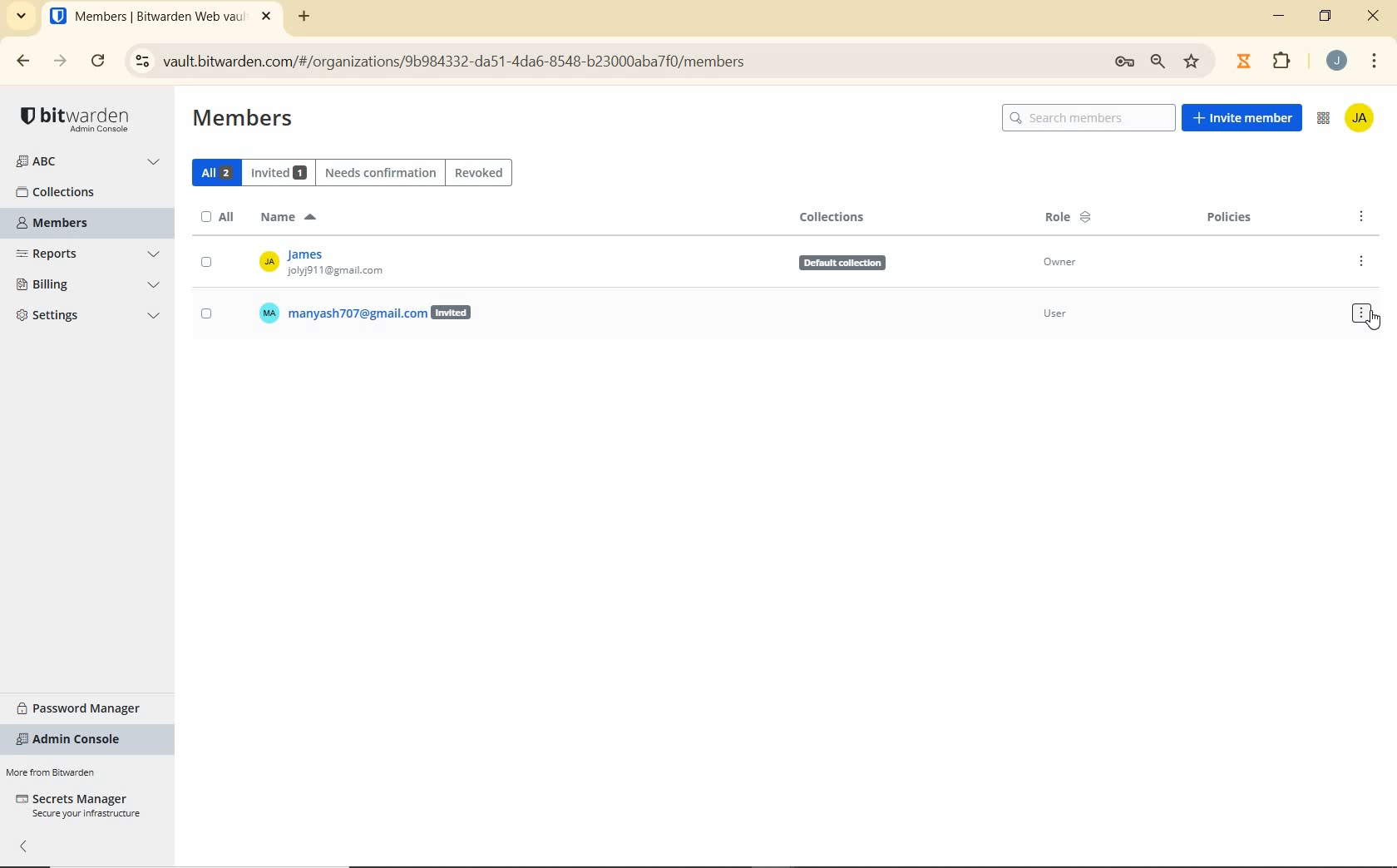  What do you see at coordinates (214, 171) in the screenshot?
I see `ALL` at bounding box center [214, 171].